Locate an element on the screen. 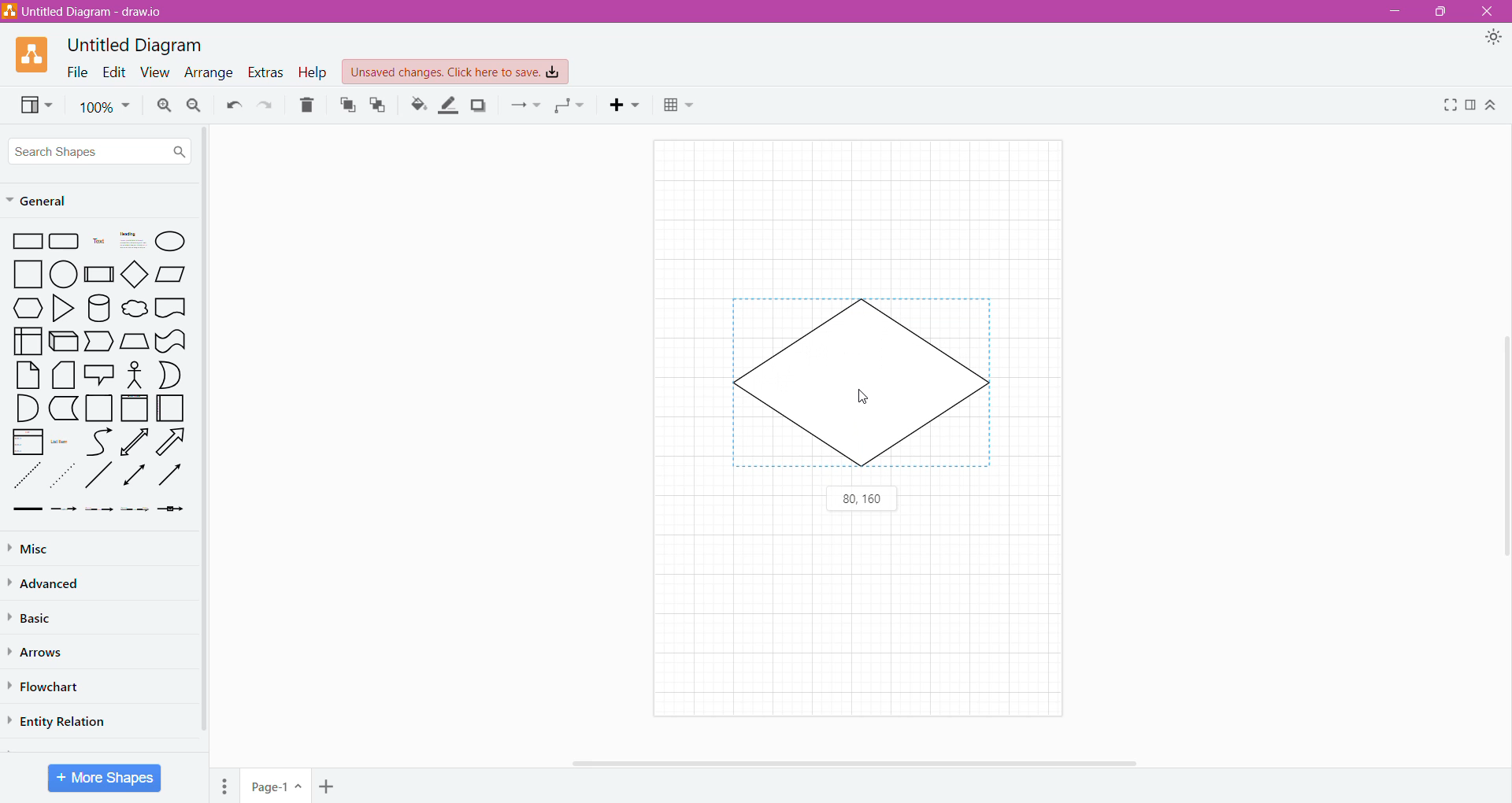 The height and width of the screenshot is (803, 1512). Format is located at coordinates (1470, 105).